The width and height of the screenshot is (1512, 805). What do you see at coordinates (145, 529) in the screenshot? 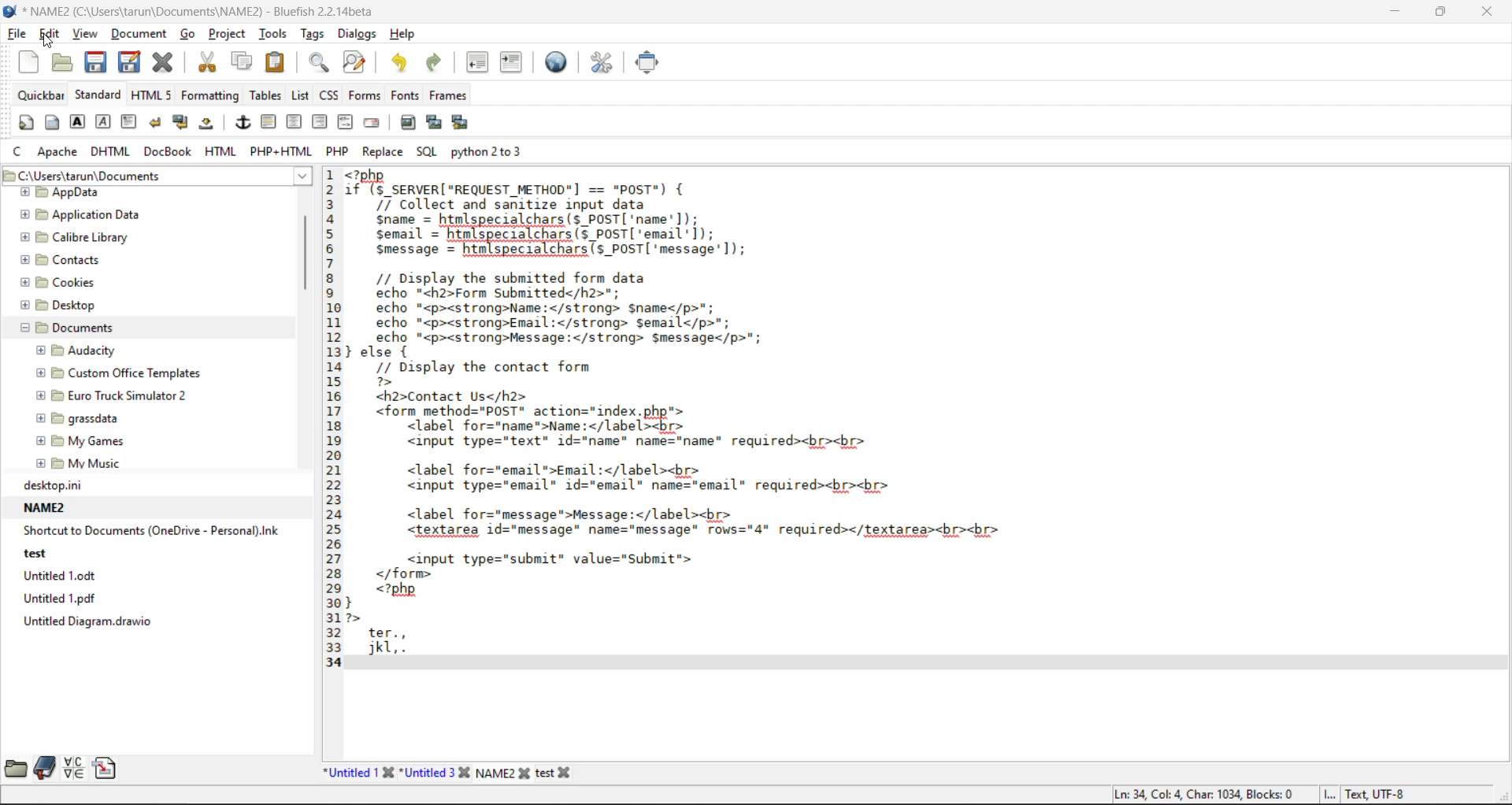
I see `‘Shortcut to Documents (OneDrive - Personal).Ink` at bounding box center [145, 529].